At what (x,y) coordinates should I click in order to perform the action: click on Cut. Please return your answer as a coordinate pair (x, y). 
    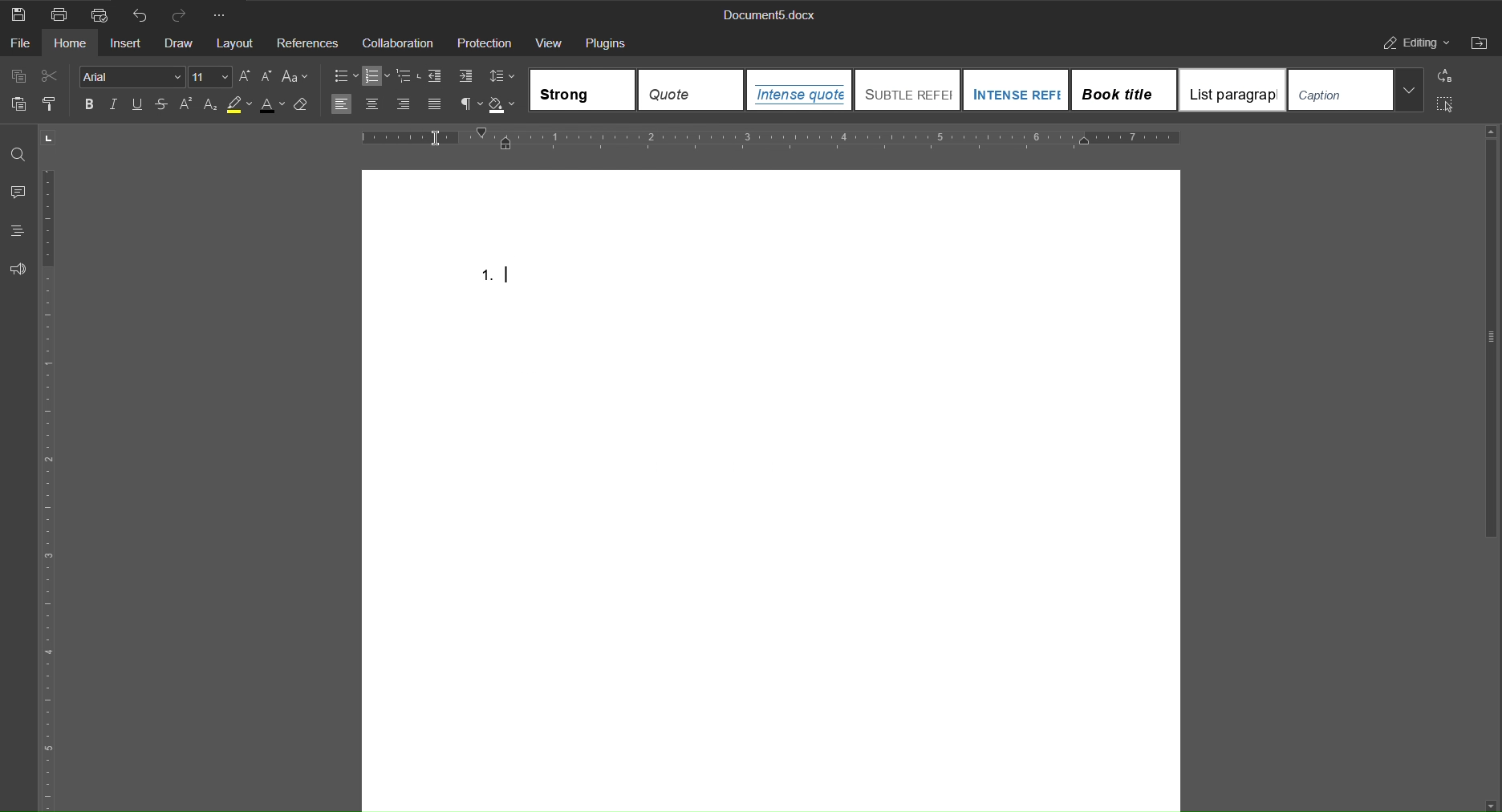
    Looking at the image, I should click on (54, 77).